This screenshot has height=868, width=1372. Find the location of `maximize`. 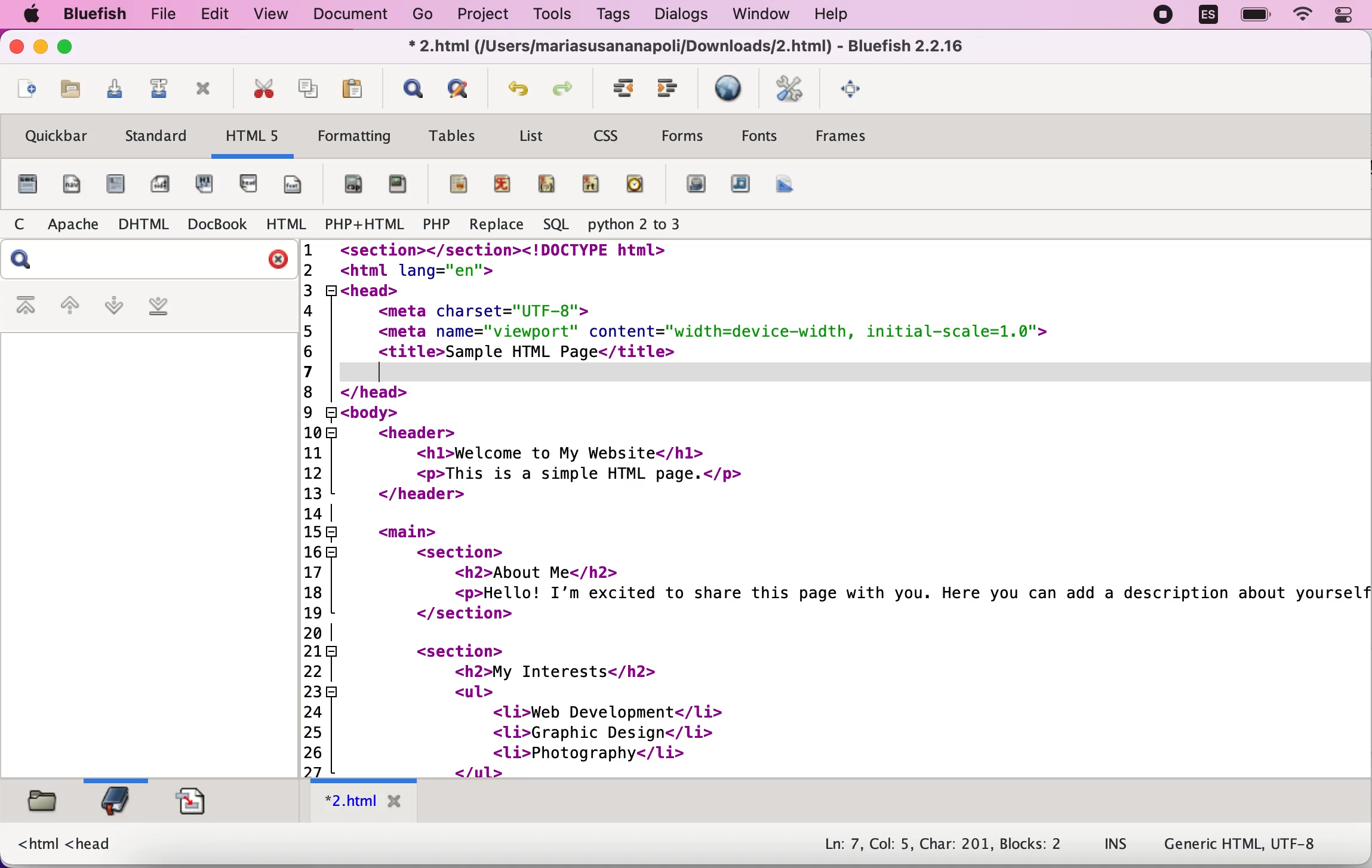

maximize is located at coordinates (70, 49).